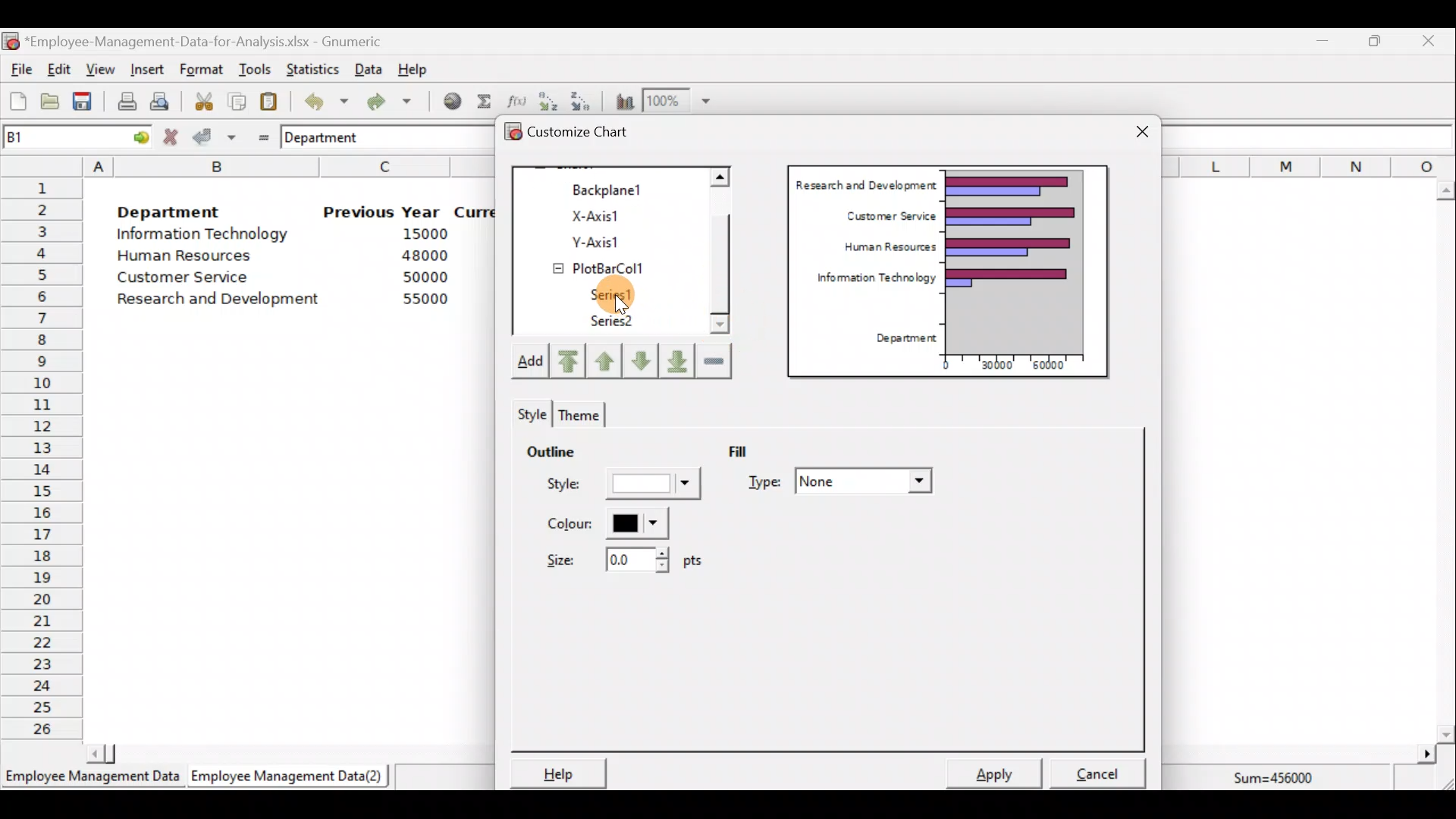  I want to click on Move down, so click(640, 361).